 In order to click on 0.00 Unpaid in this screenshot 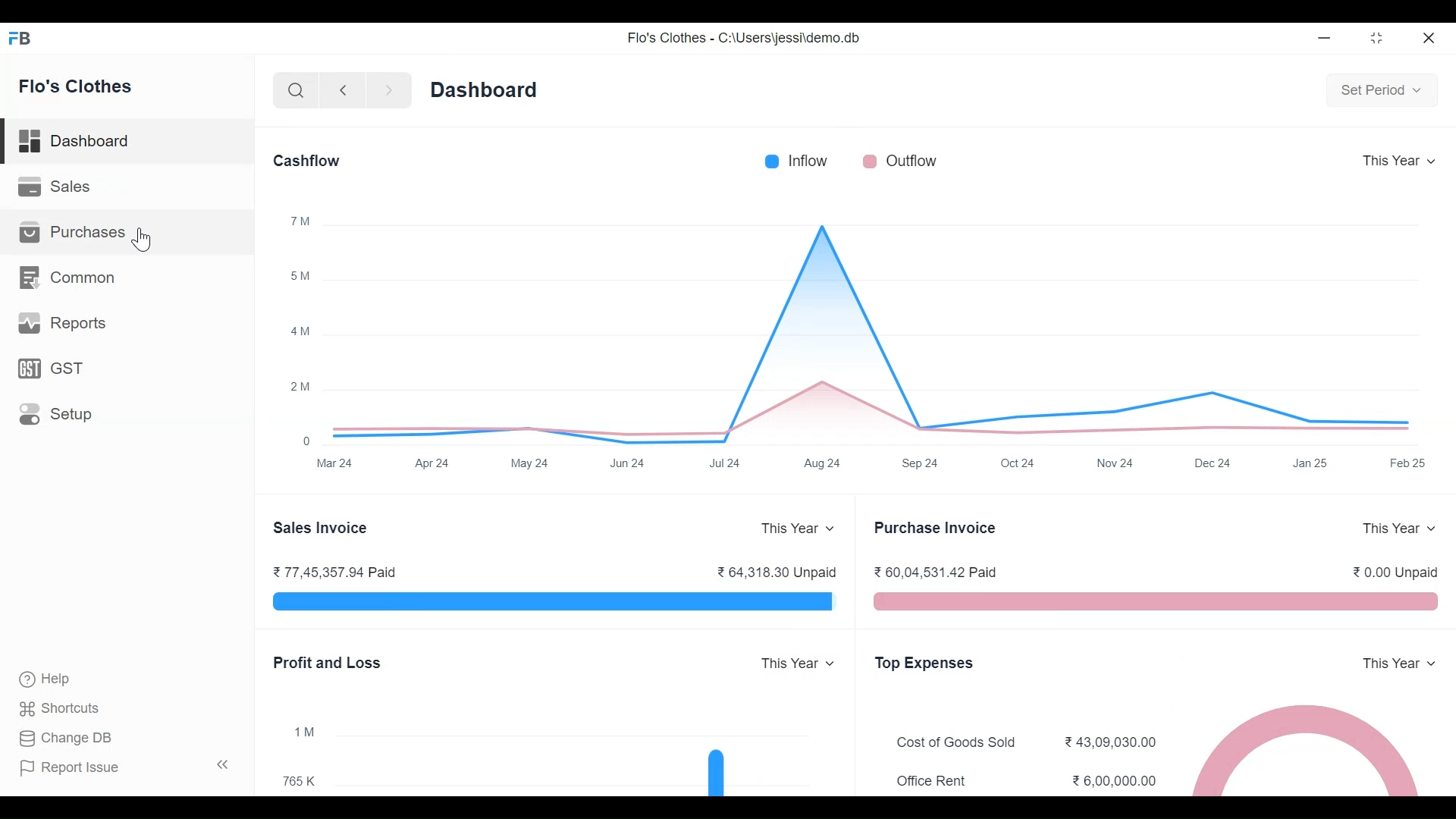, I will do `click(1397, 572)`.